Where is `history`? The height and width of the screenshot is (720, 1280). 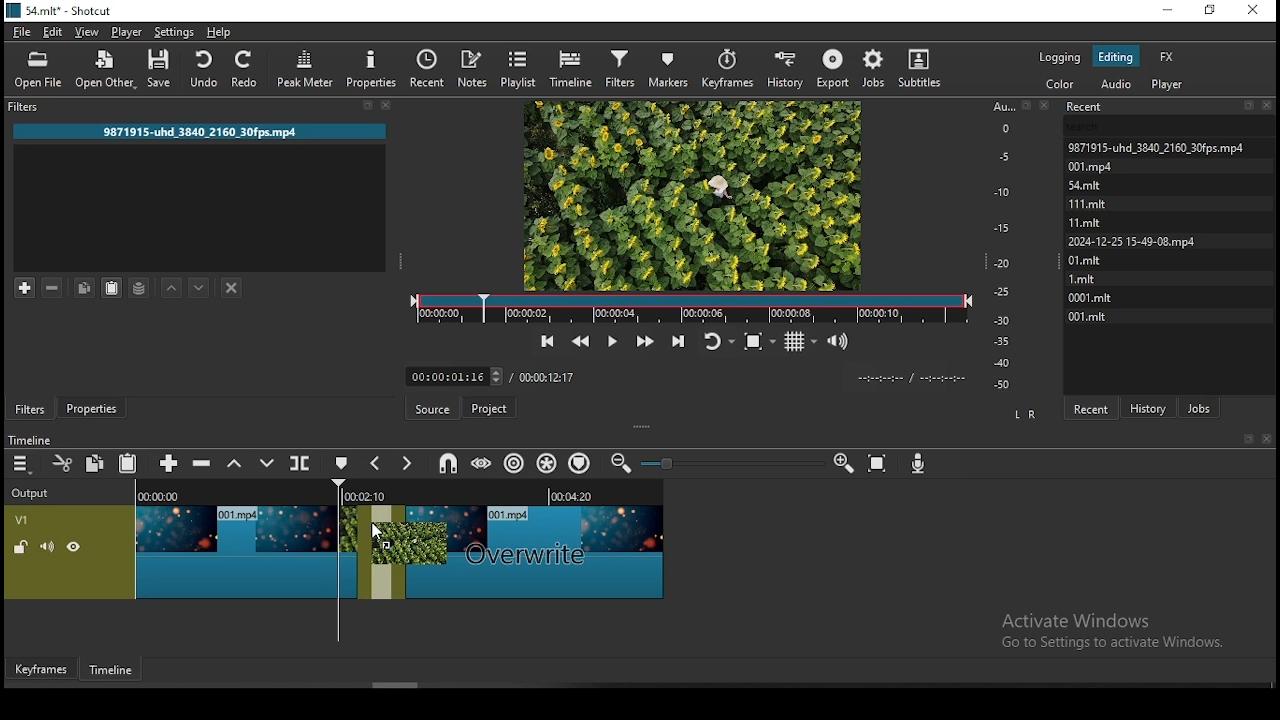
history is located at coordinates (1150, 407).